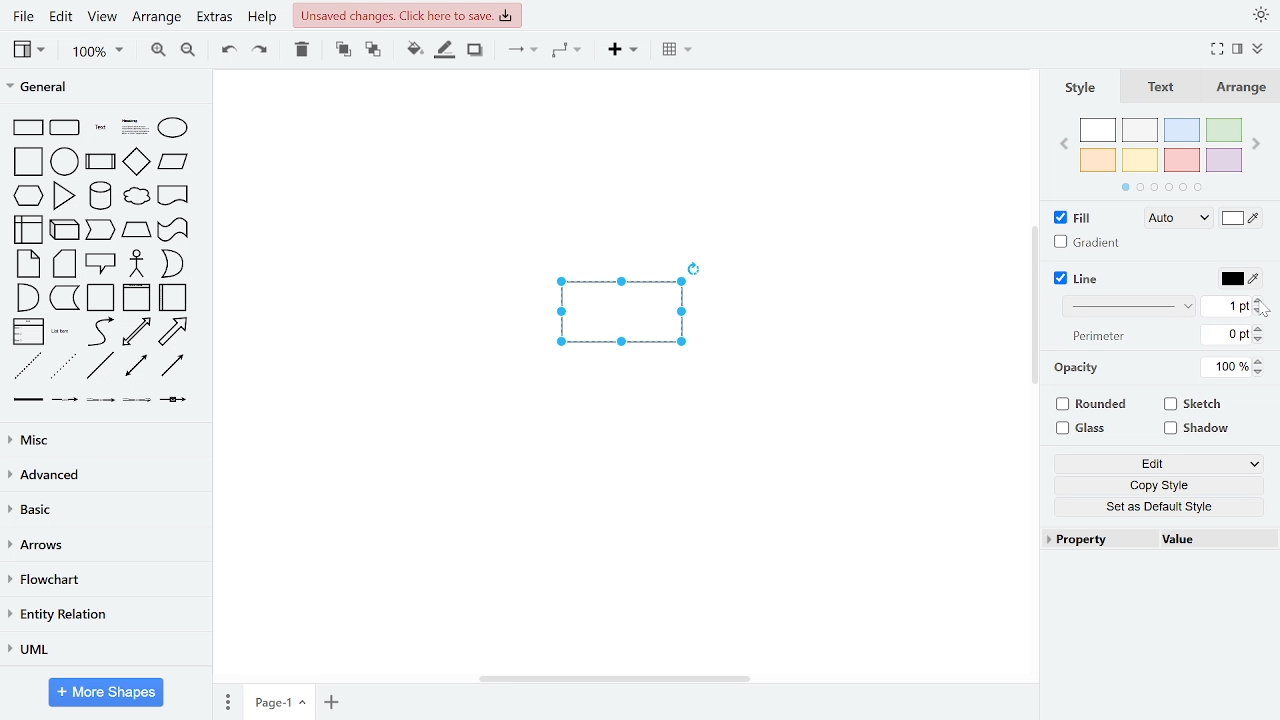 Image resolution: width=1280 pixels, height=720 pixels. What do you see at coordinates (102, 441) in the screenshot?
I see `misc` at bounding box center [102, 441].